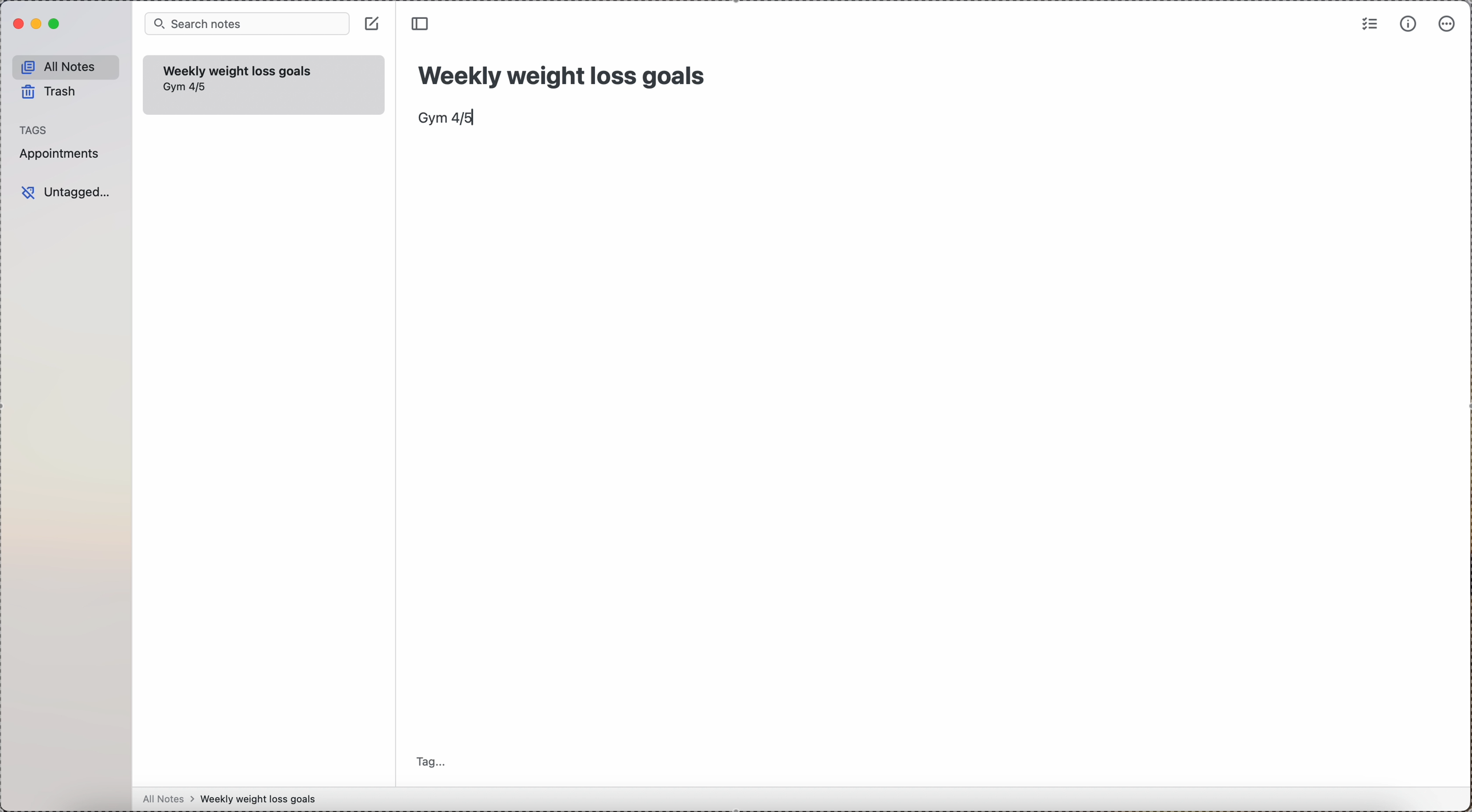 The height and width of the screenshot is (812, 1472). What do you see at coordinates (238, 69) in the screenshot?
I see `weekly weigth loss goals note` at bounding box center [238, 69].